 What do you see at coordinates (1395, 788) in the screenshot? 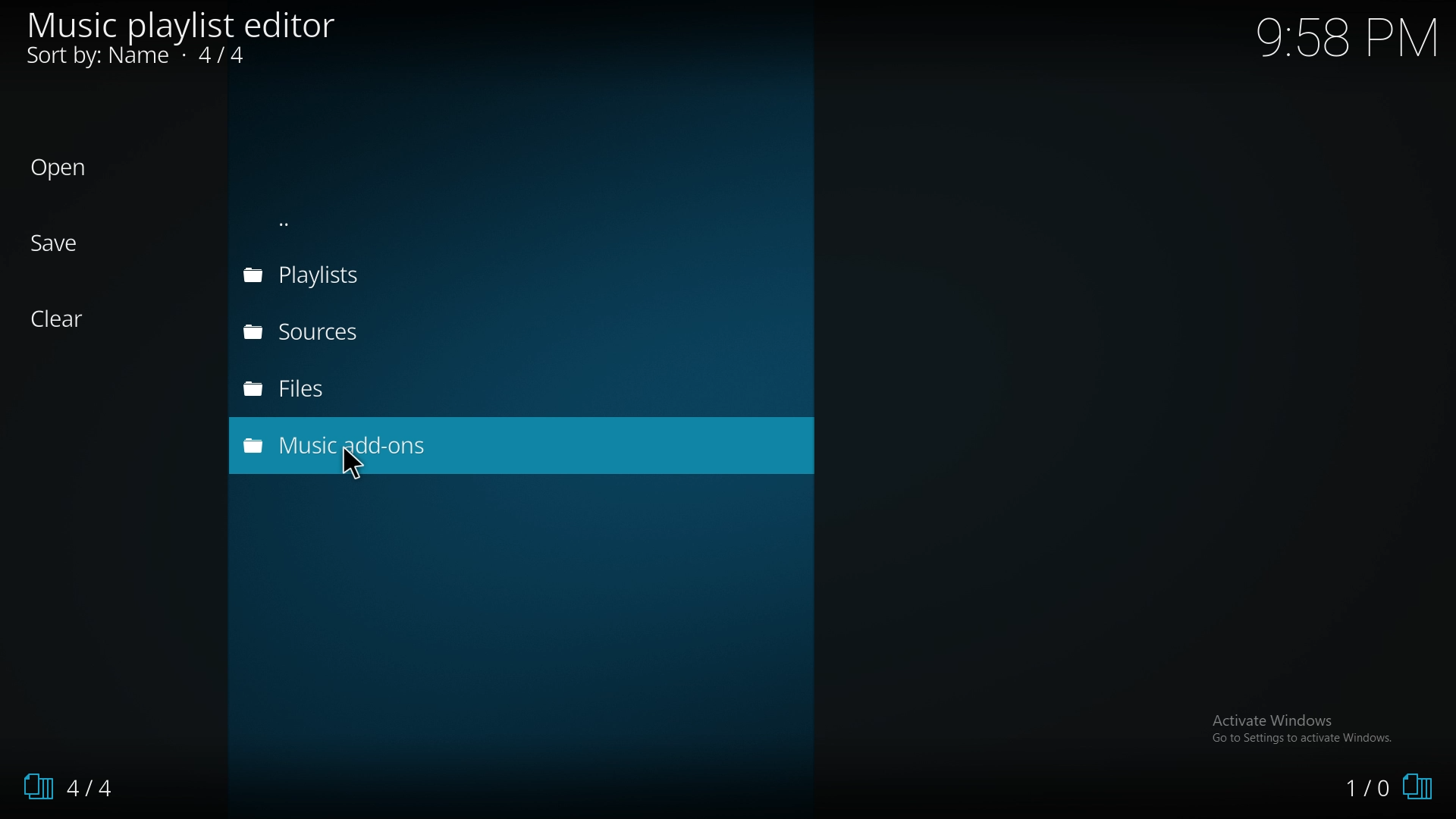
I see `1/0` at bounding box center [1395, 788].